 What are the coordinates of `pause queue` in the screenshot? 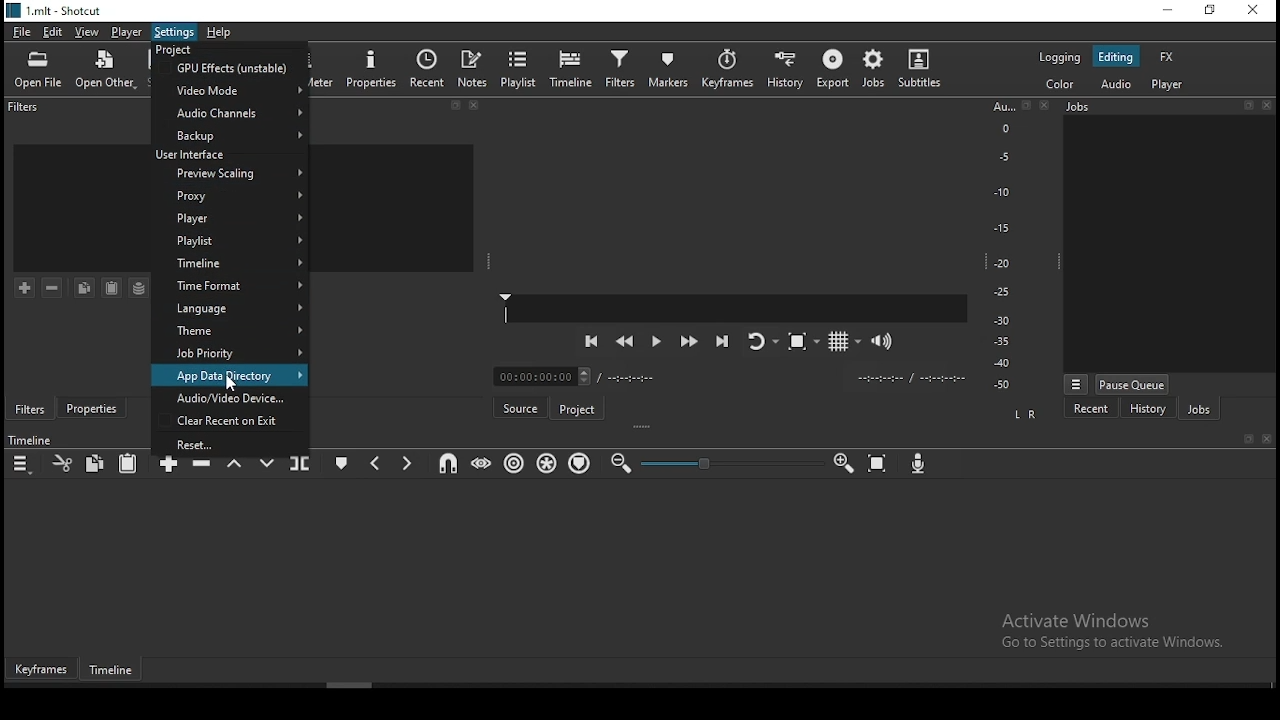 It's located at (1134, 384).